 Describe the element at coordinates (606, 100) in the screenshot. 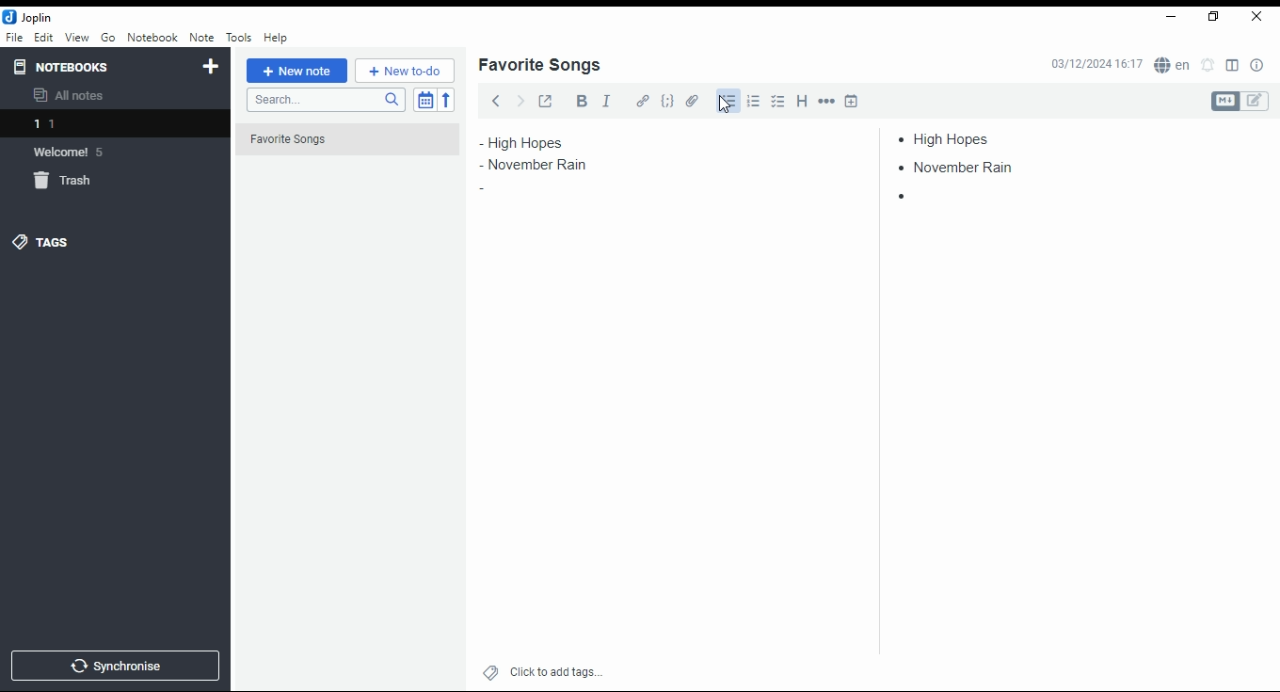

I see `italics` at that location.